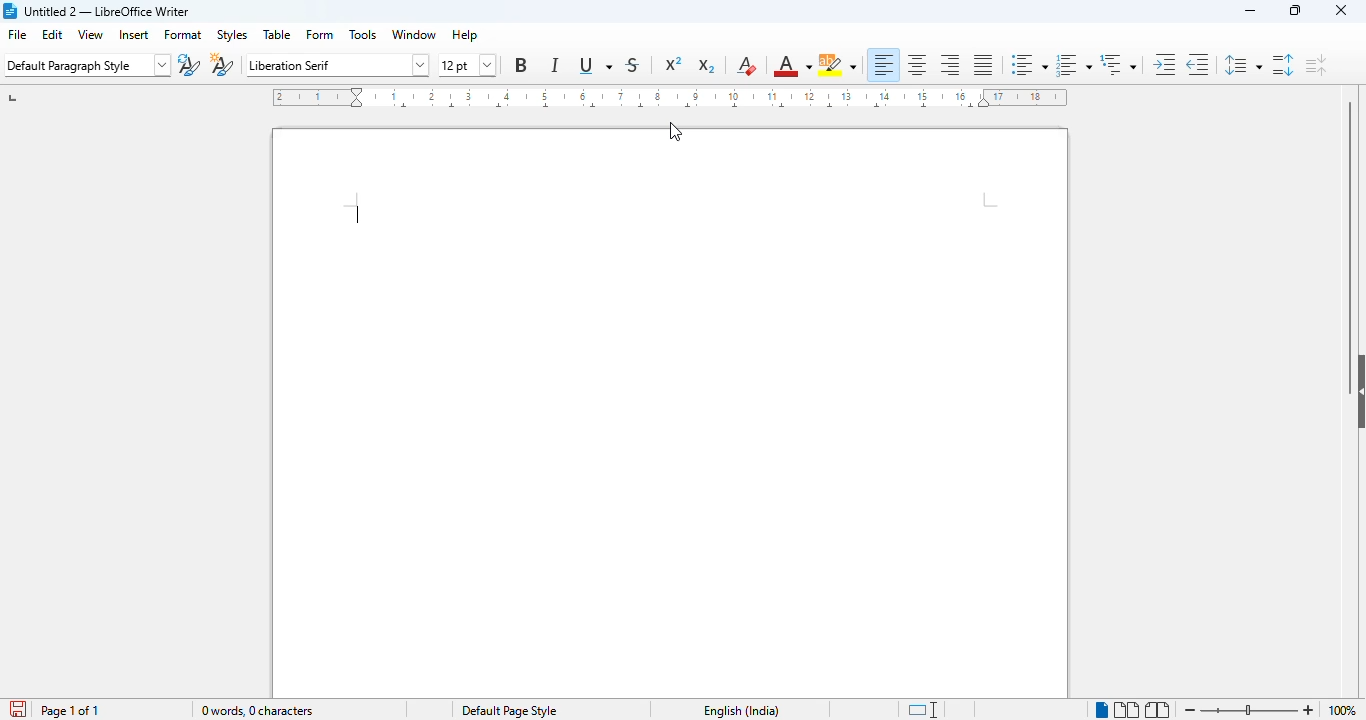 The image size is (1366, 720). I want to click on standard selection, so click(922, 710).